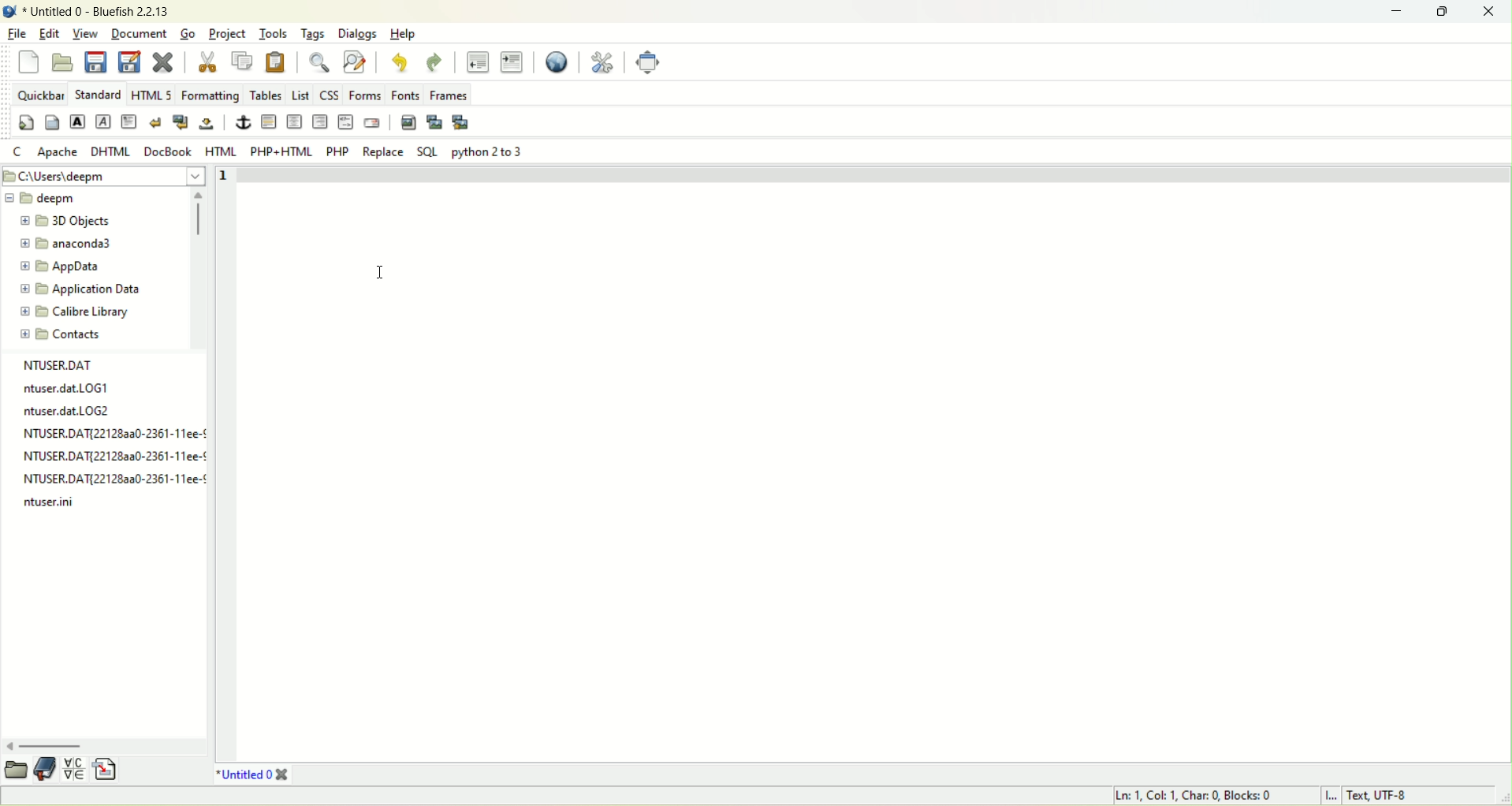 This screenshot has width=1512, height=806. What do you see at coordinates (295, 121) in the screenshot?
I see `horizontal rule` at bounding box center [295, 121].